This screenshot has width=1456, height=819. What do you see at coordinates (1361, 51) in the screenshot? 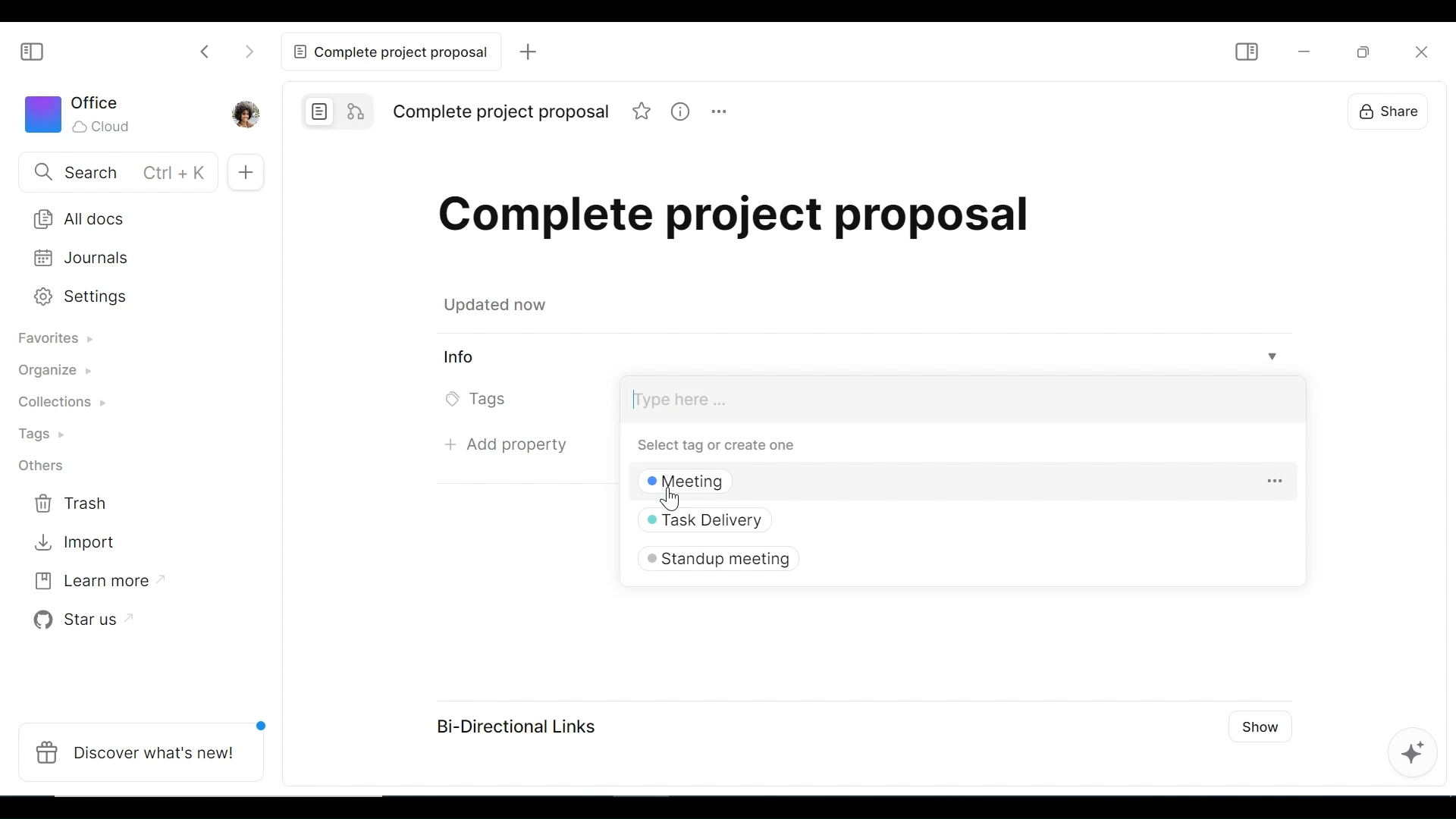
I see `Restore` at bounding box center [1361, 51].